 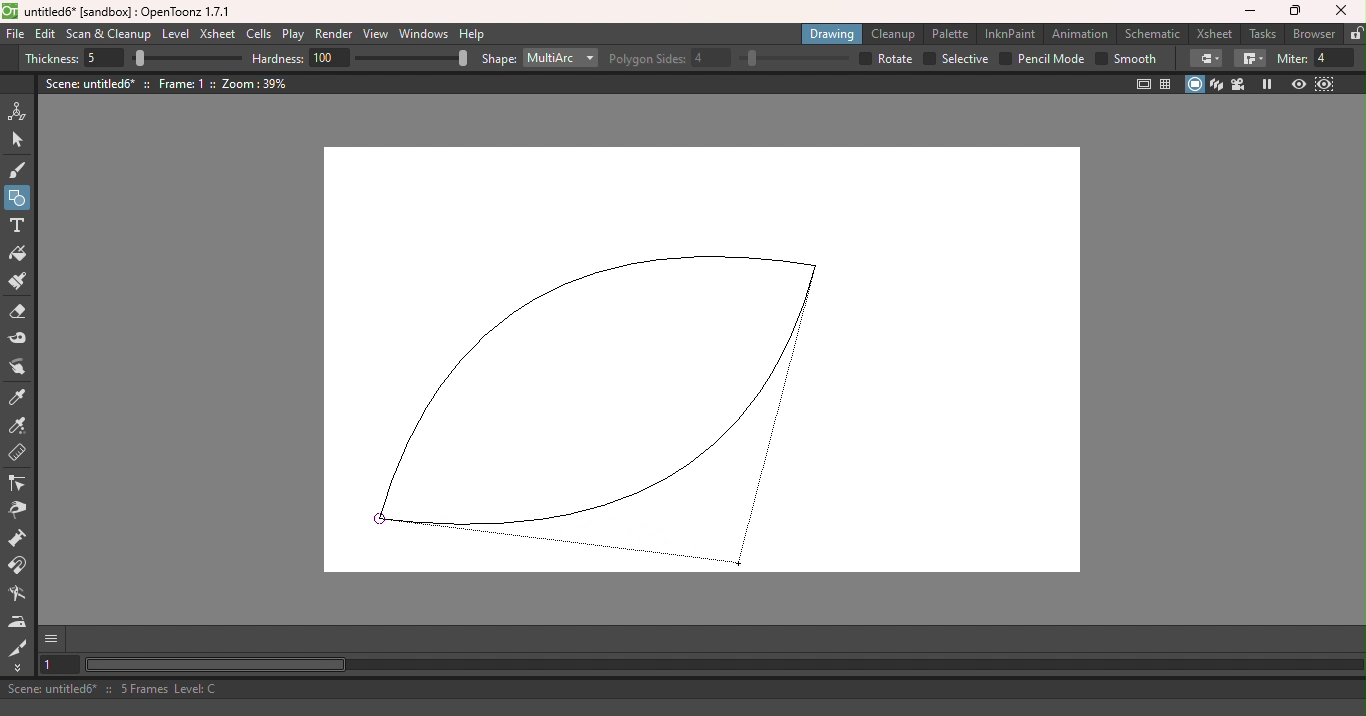 What do you see at coordinates (17, 313) in the screenshot?
I see `Eraser tool` at bounding box center [17, 313].